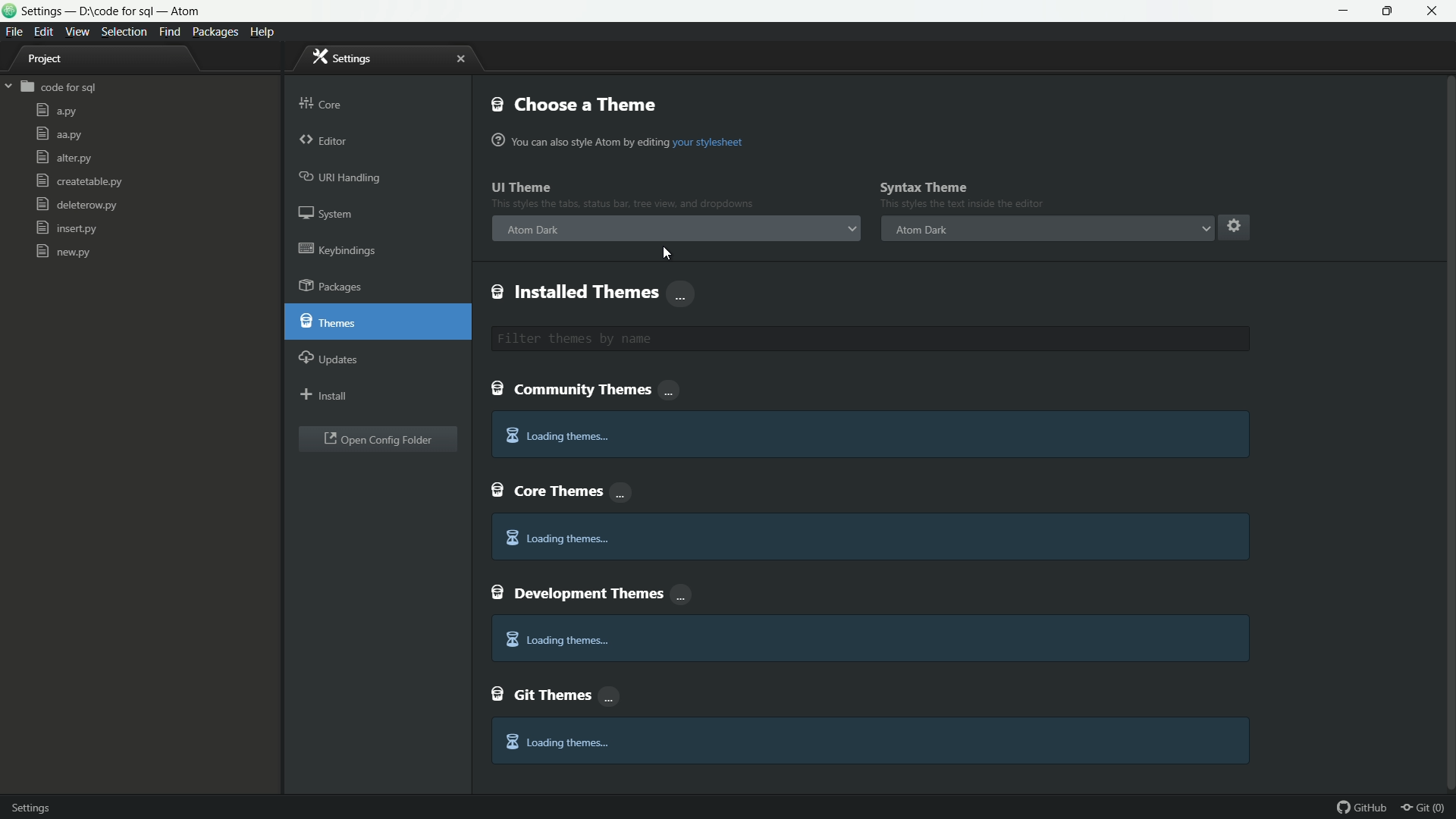 This screenshot has width=1456, height=819. I want to click on git themes, so click(557, 693).